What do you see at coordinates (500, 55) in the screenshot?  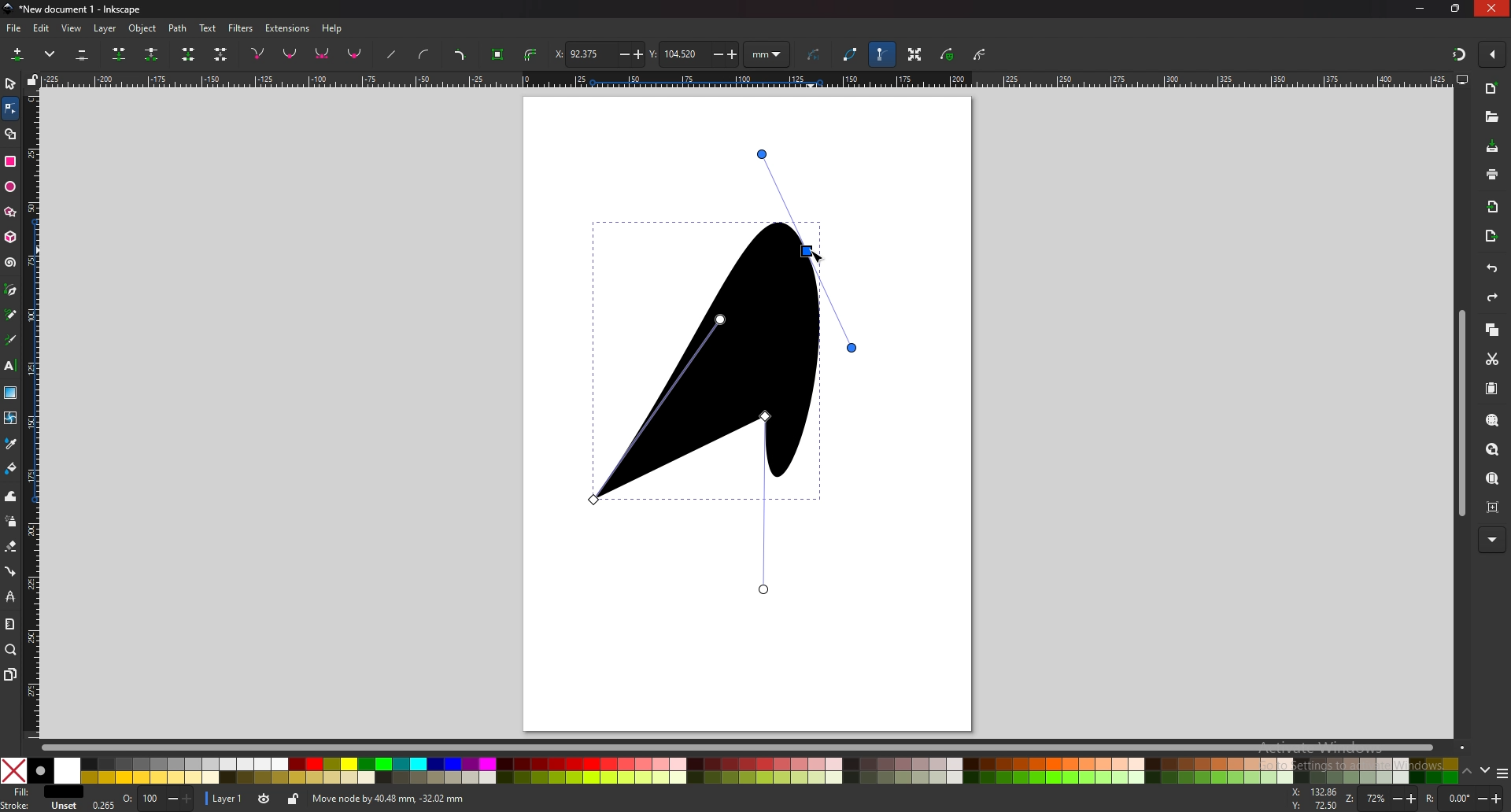 I see `object to path` at bounding box center [500, 55].